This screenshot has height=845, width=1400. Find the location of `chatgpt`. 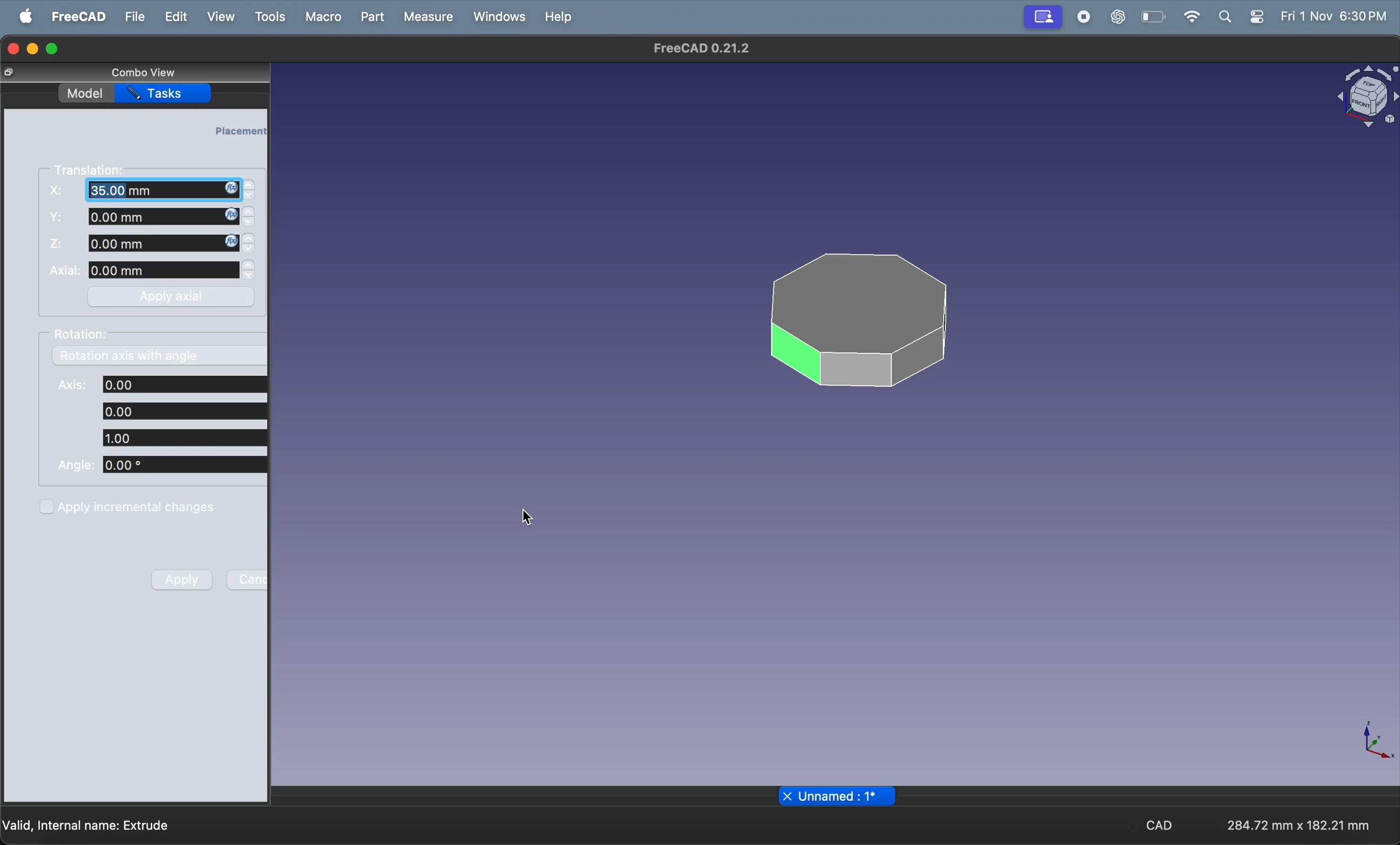

chatgpt is located at coordinates (1118, 17).